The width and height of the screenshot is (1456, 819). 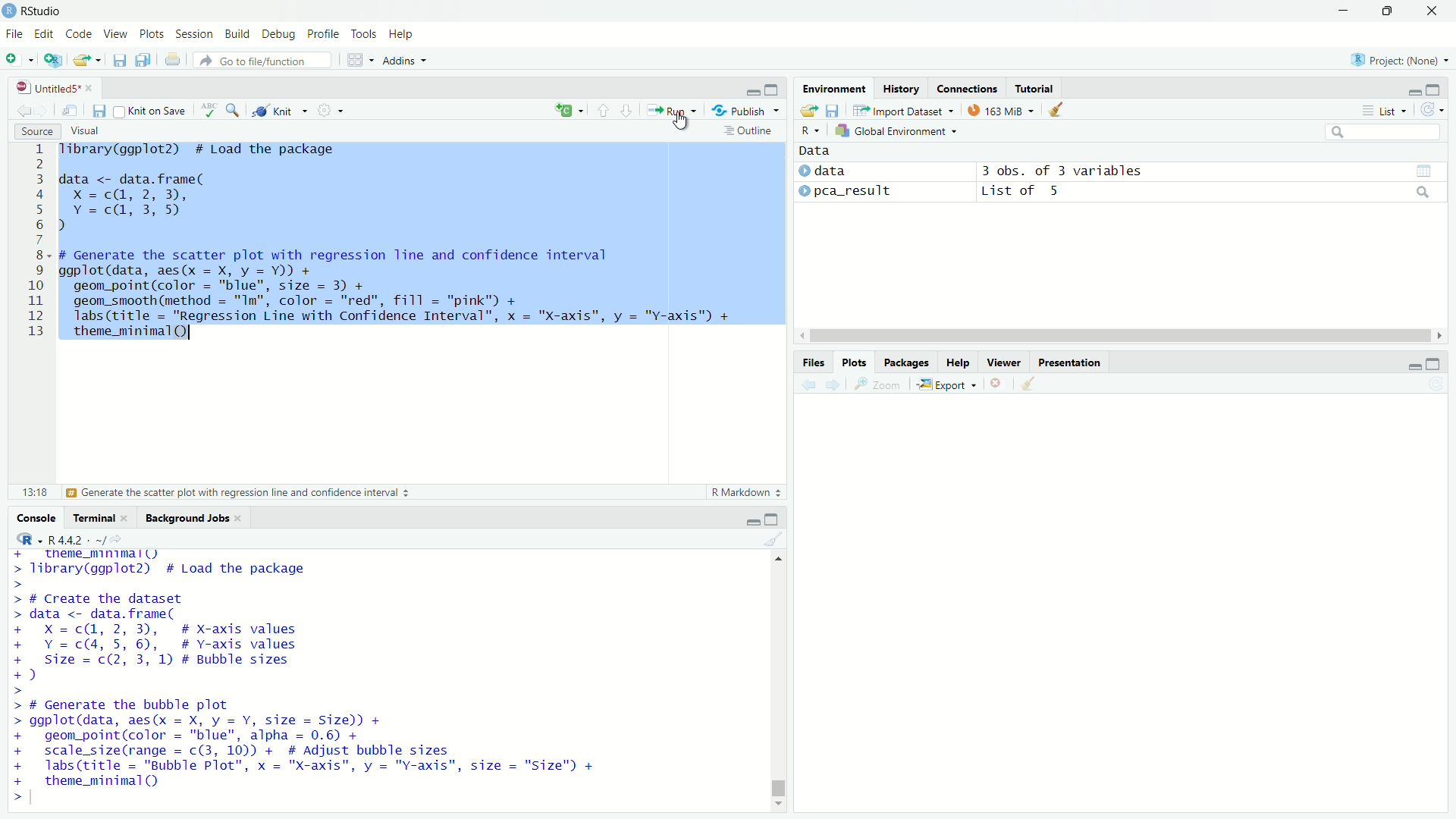 I want to click on Help, so click(x=958, y=362).